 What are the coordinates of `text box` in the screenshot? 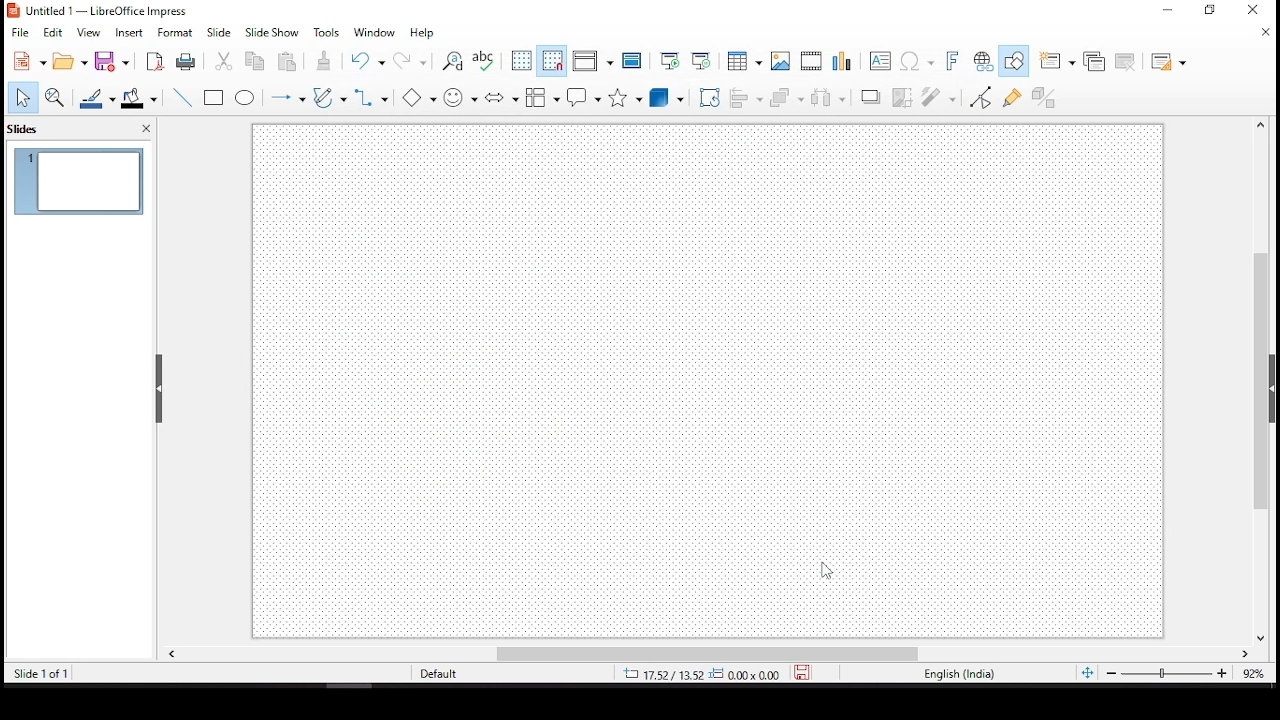 It's located at (883, 61).